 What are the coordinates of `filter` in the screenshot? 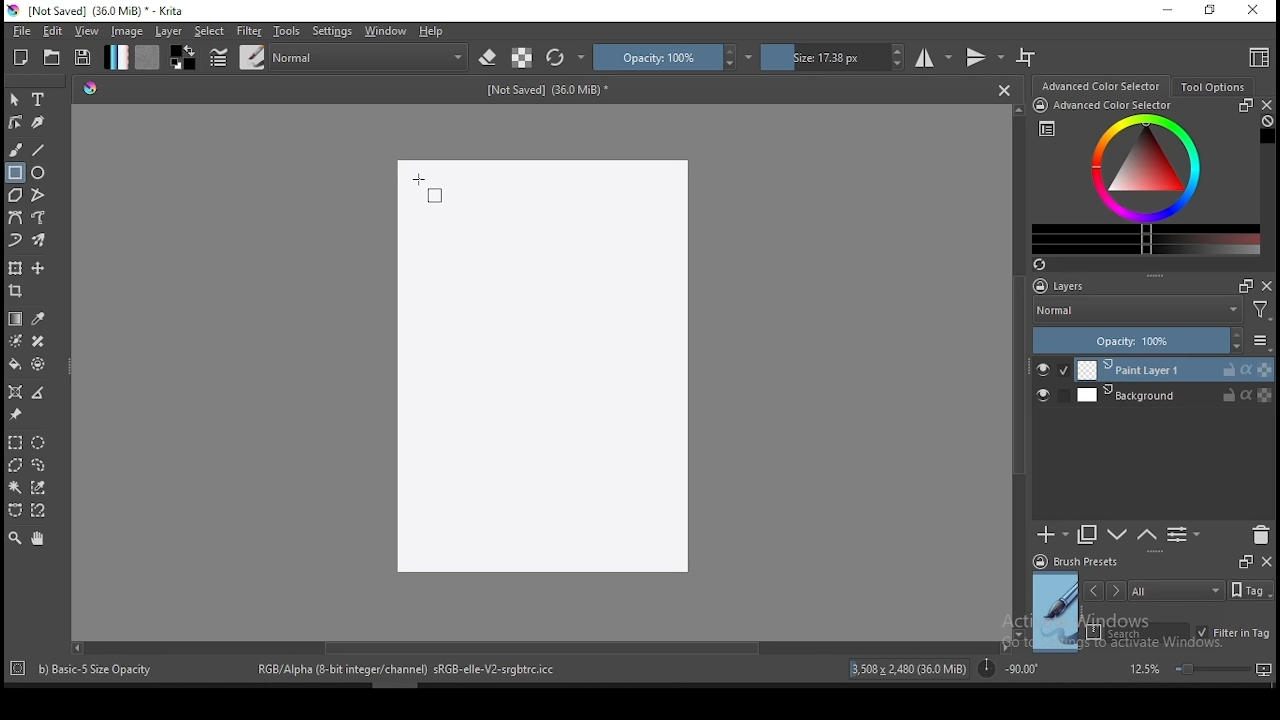 It's located at (248, 31).